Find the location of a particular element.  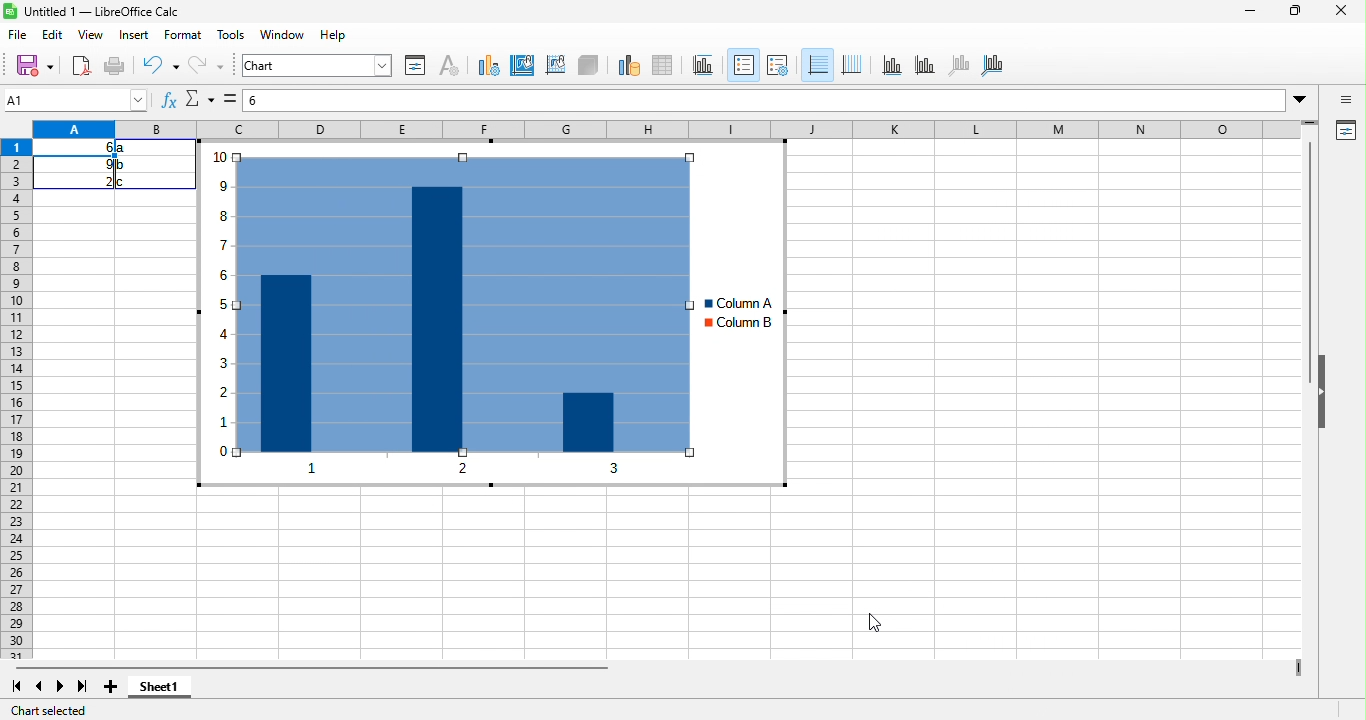

fill background is located at coordinates (525, 67).